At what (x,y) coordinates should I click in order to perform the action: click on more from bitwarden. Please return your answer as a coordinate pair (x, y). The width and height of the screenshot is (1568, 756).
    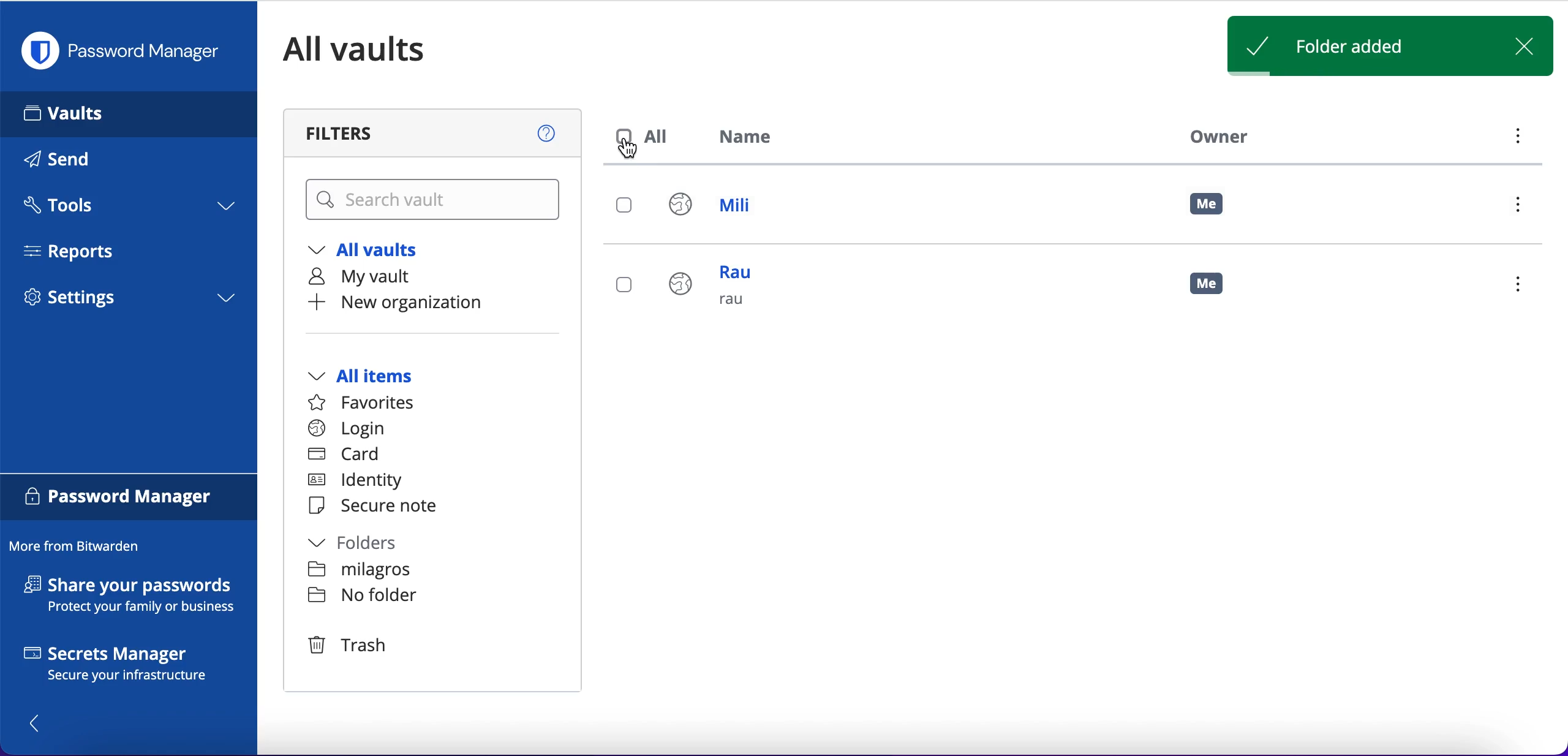
    Looking at the image, I should click on (80, 547).